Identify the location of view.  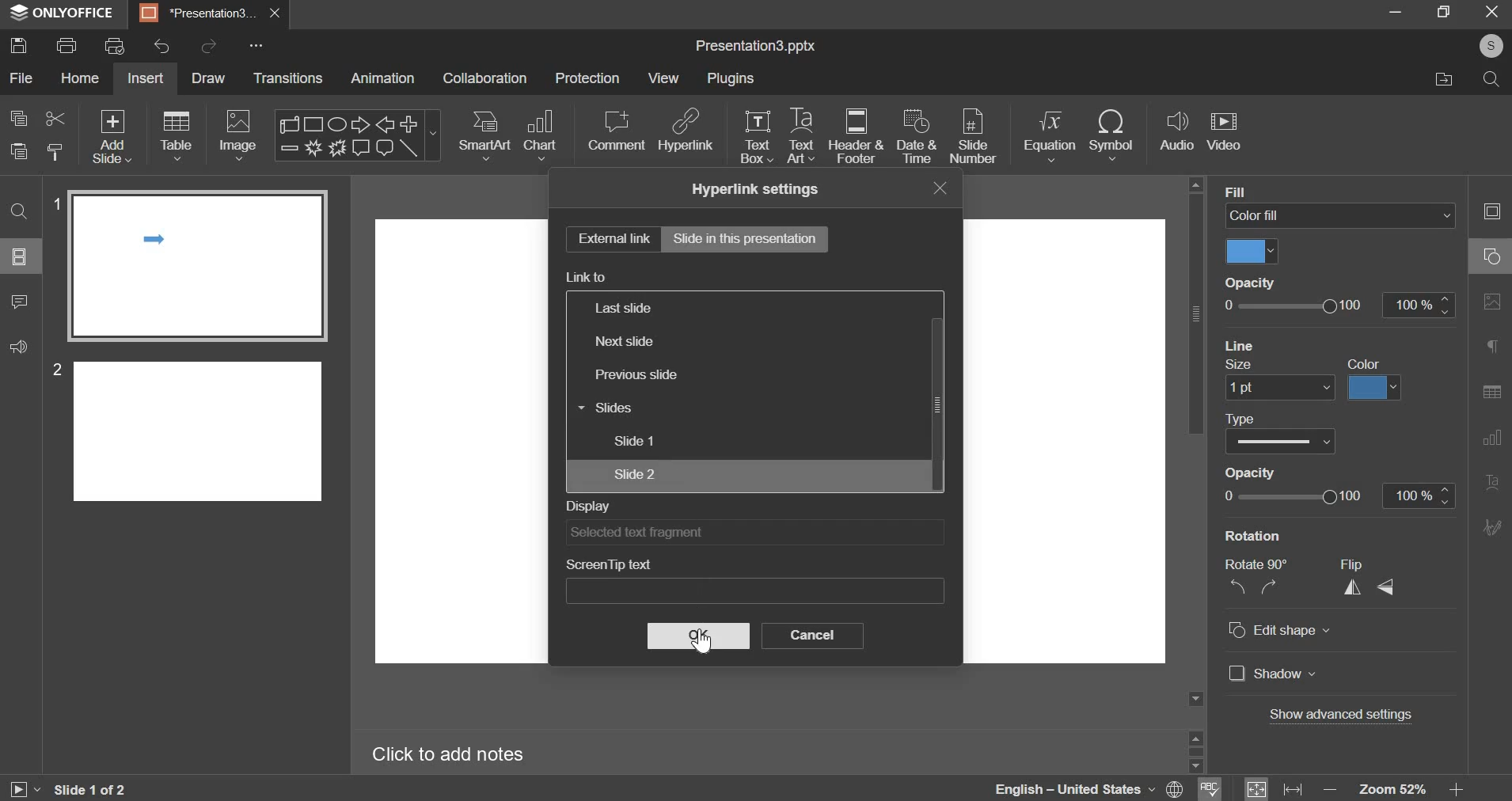
(663, 79).